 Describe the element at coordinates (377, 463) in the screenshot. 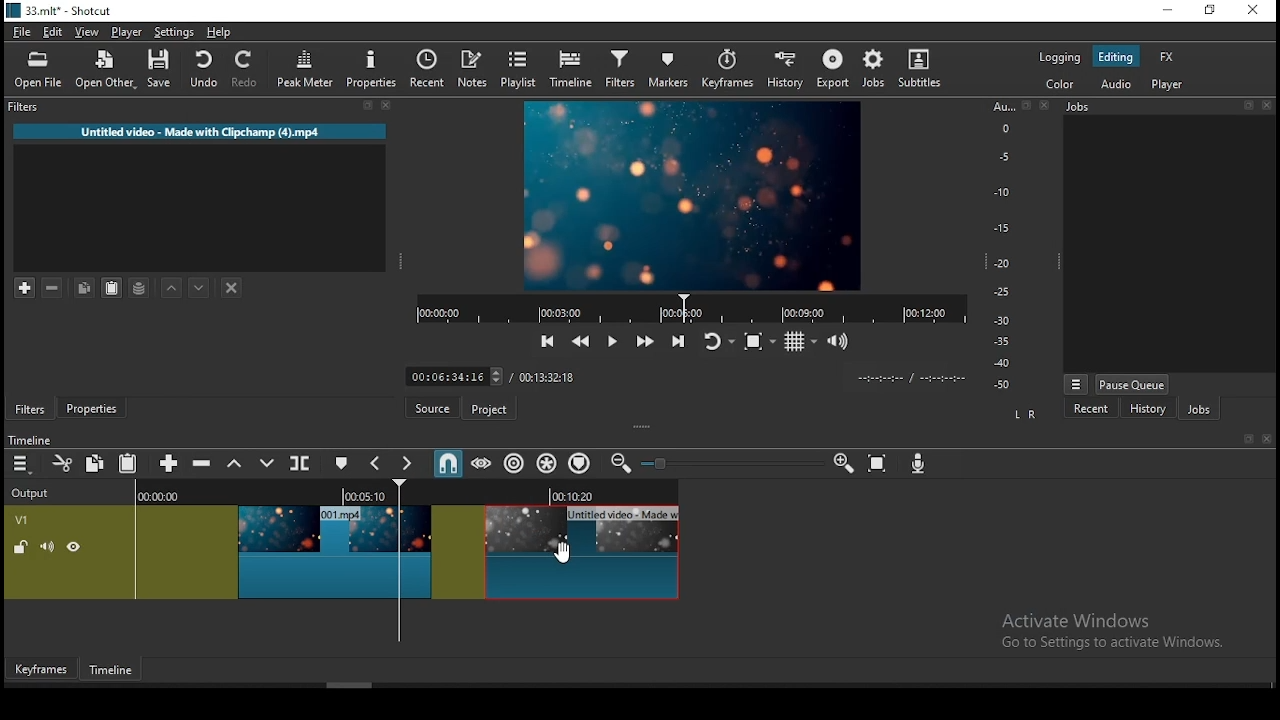

I see `previous marker` at that location.